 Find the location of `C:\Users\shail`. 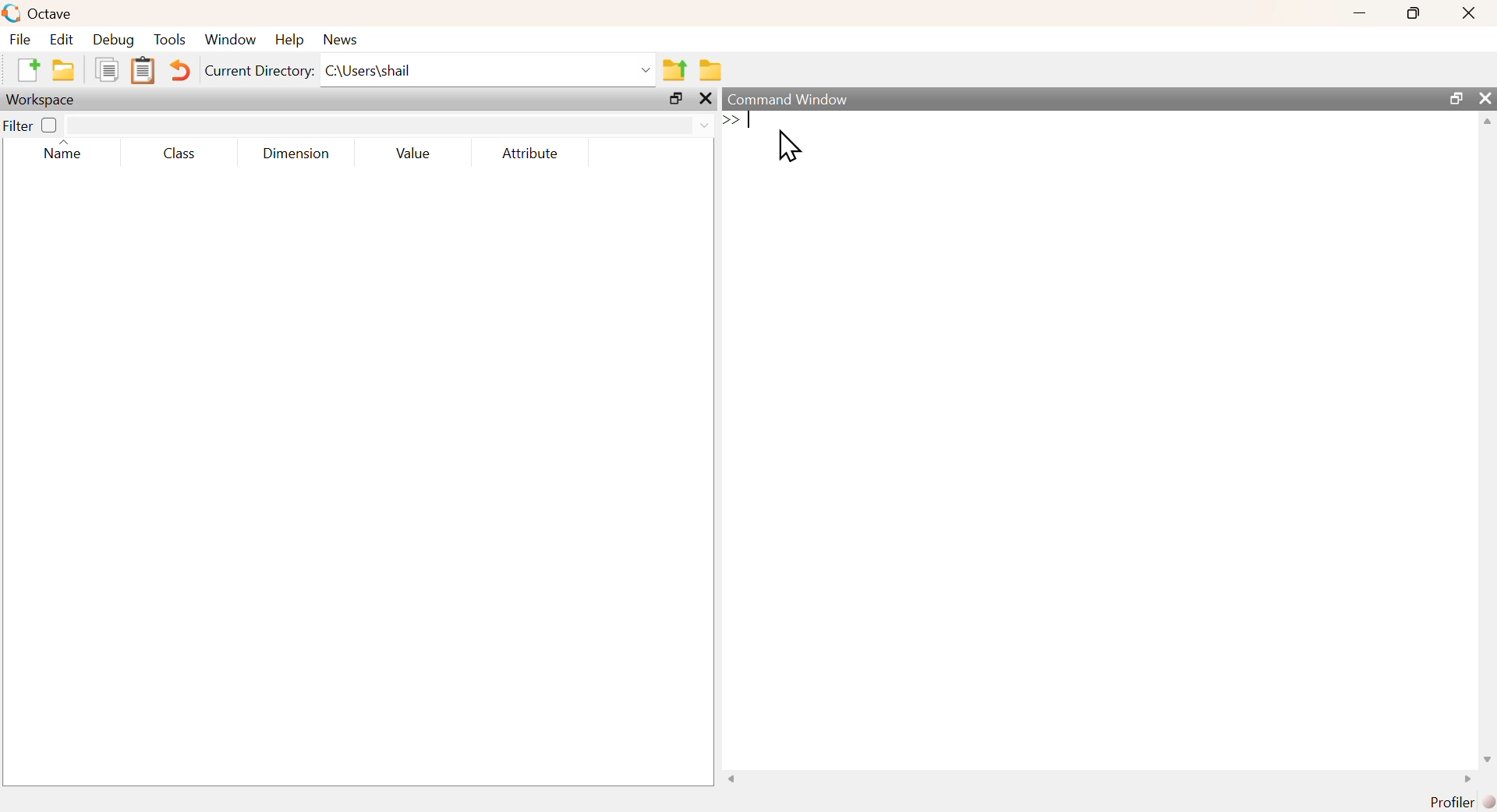

C:\Users\shail is located at coordinates (487, 70).